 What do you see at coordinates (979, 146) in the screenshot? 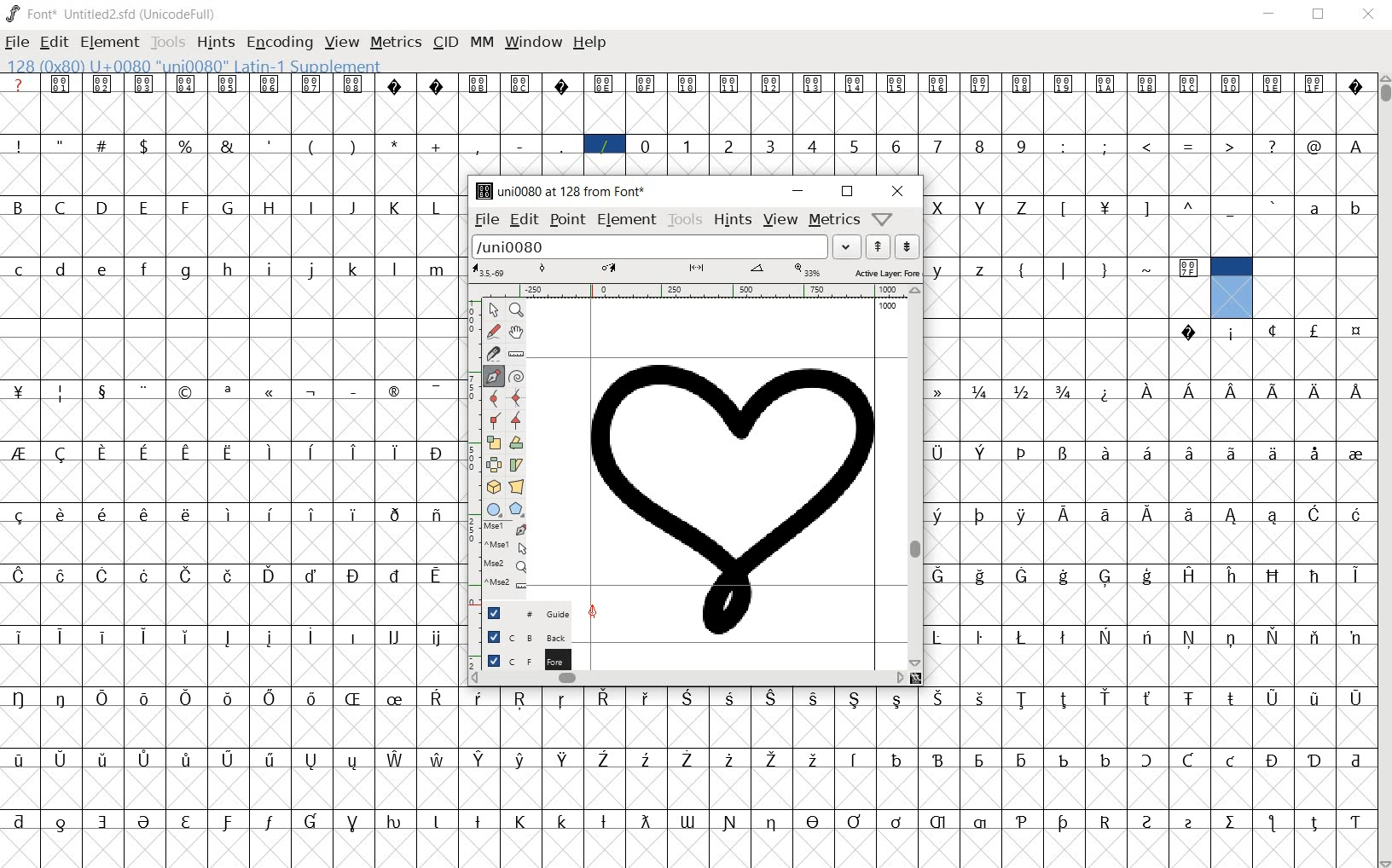
I see `glyph` at bounding box center [979, 146].